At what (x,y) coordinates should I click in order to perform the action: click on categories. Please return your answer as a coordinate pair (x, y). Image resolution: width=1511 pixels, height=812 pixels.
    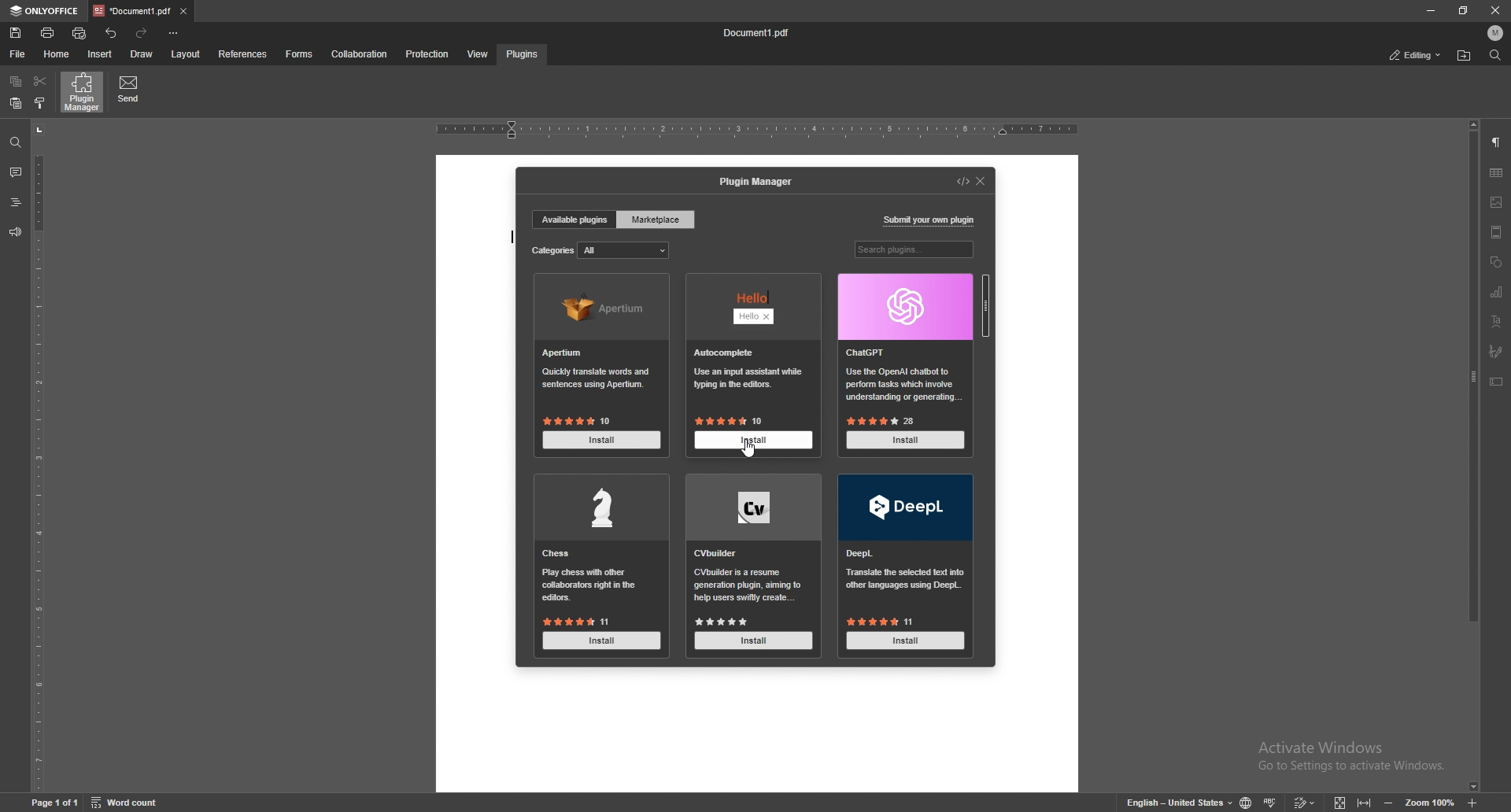
    Looking at the image, I should click on (599, 250).